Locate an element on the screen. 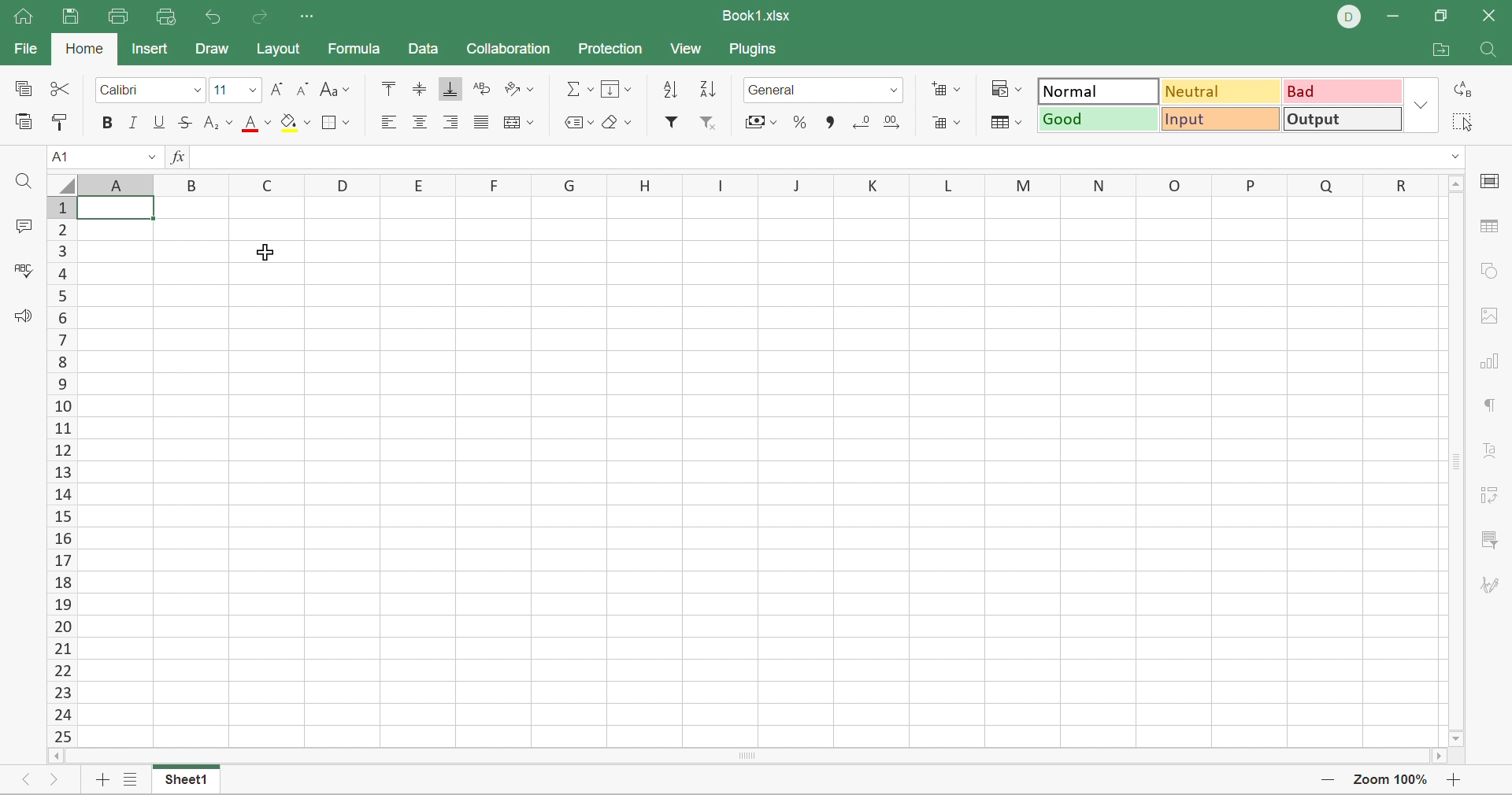 The image size is (1512, 795). selected cell is located at coordinates (115, 207).